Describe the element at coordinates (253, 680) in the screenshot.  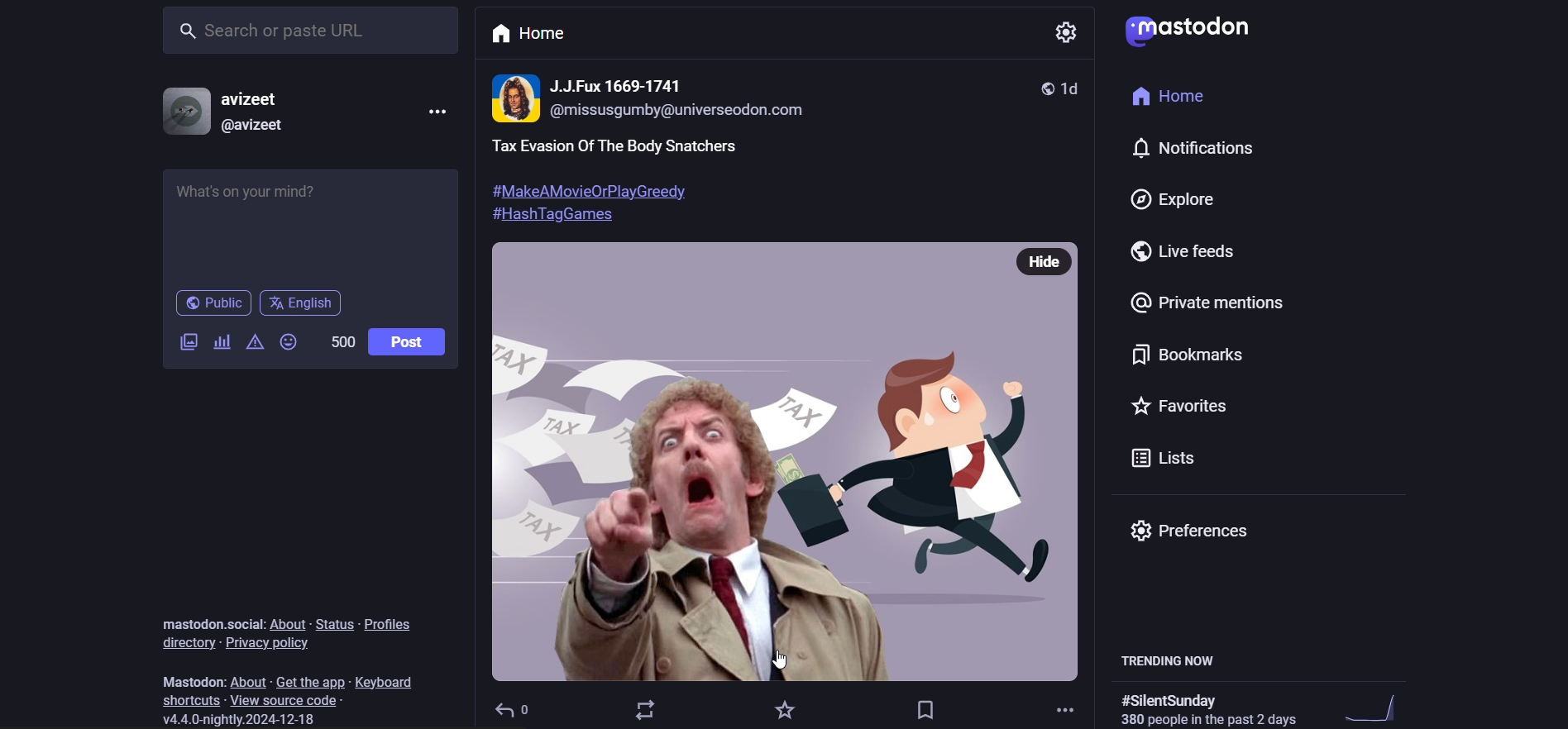
I see `about` at that location.